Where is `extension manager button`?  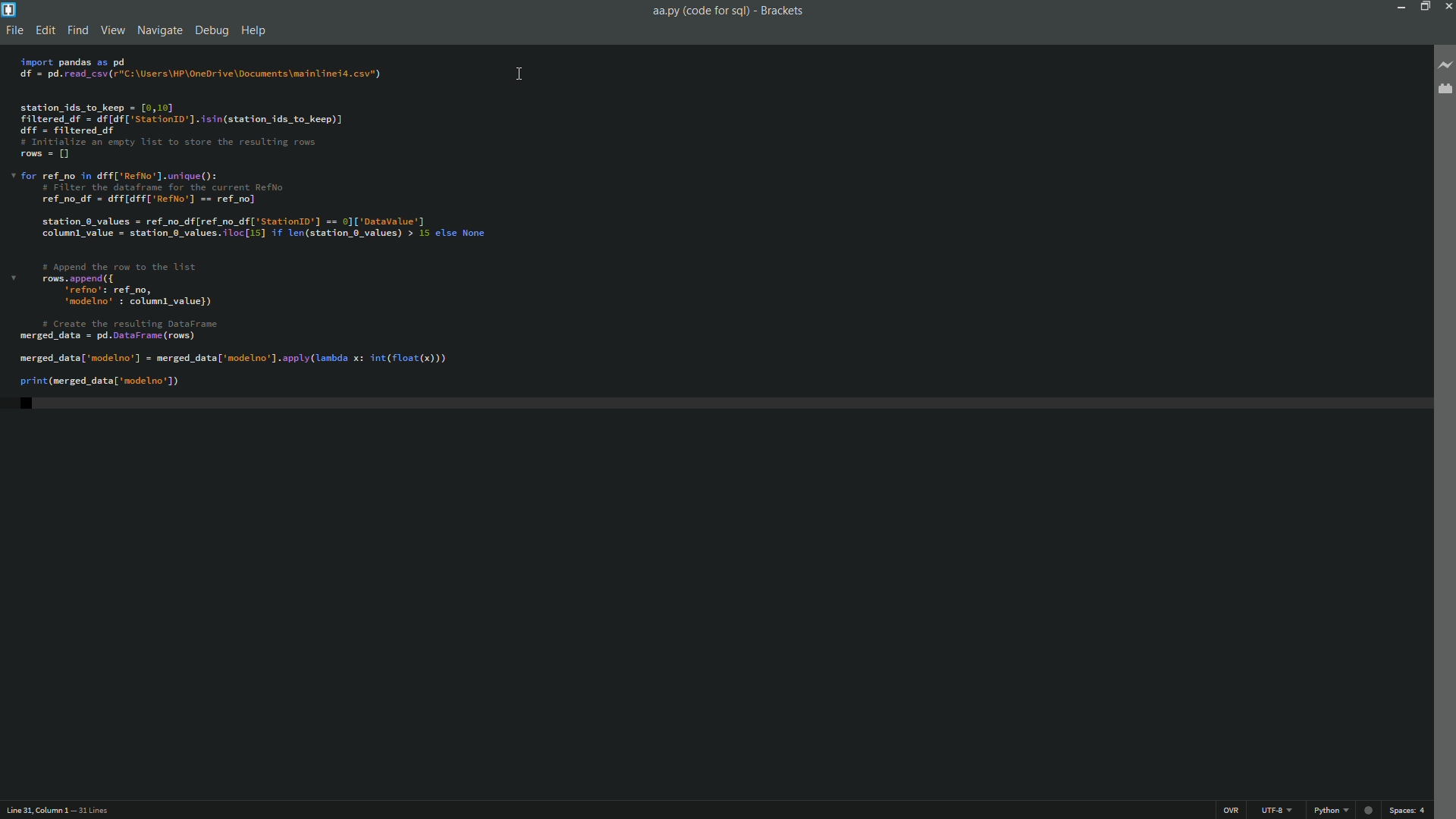 extension manager button is located at coordinates (1446, 90).